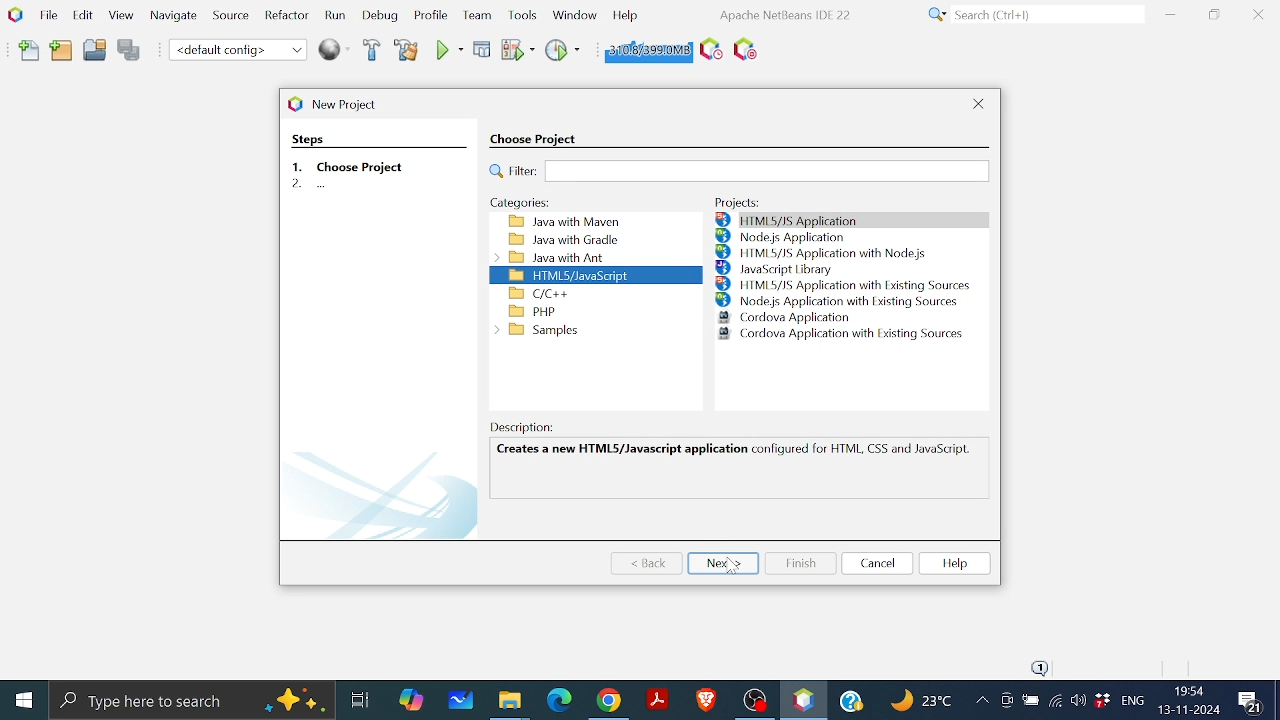 Image resolution: width=1280 pixels, height=720 pixels. I want to click on Add file, so click(30, 51).